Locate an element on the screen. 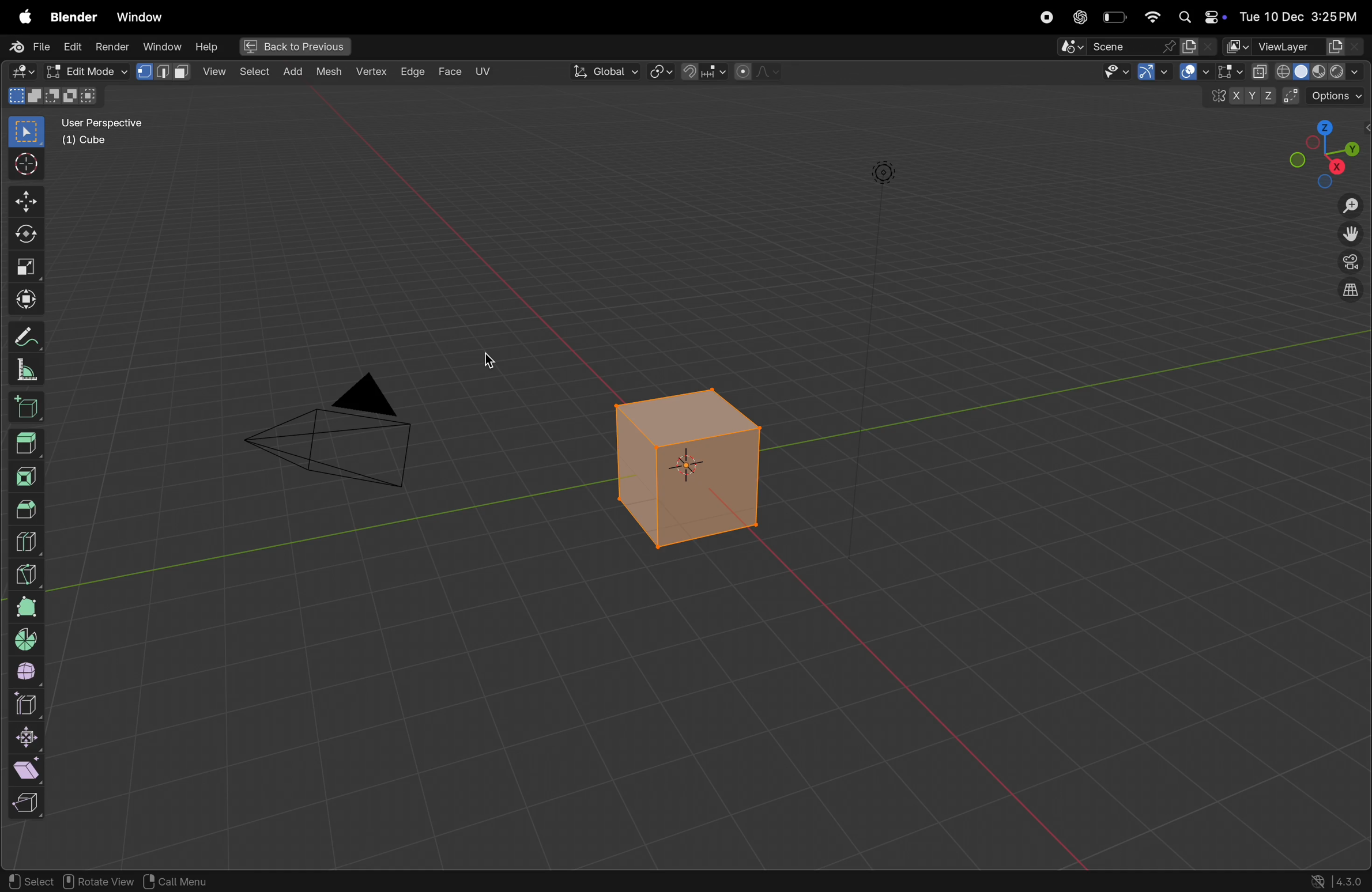 The height and width of the screenshot is (892, 1372). orthographic view is located at coordinates (1347, 293).